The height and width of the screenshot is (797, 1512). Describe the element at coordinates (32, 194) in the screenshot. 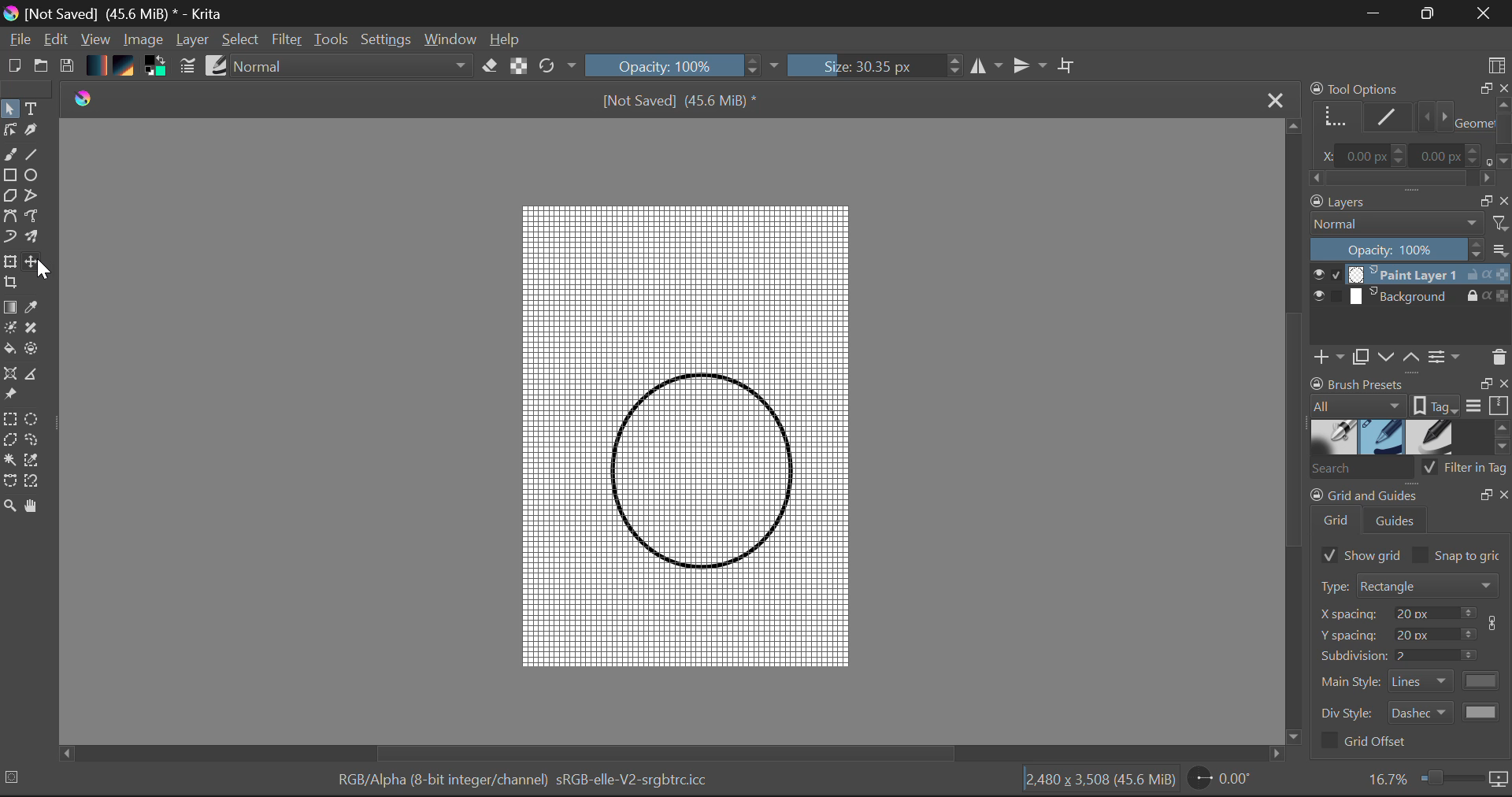

I see `Polyline` at that location.